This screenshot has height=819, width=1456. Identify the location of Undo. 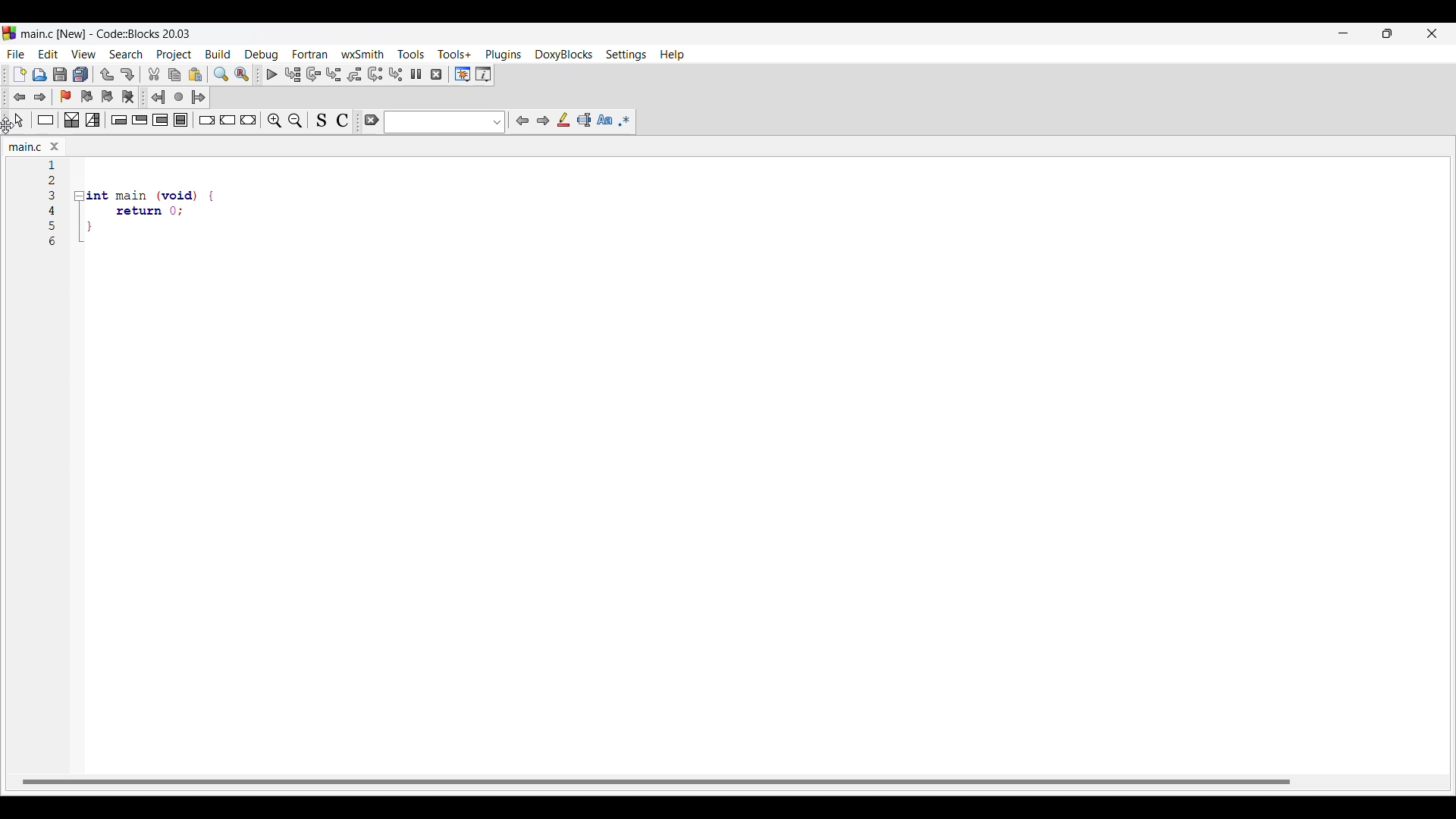
(107, 74).